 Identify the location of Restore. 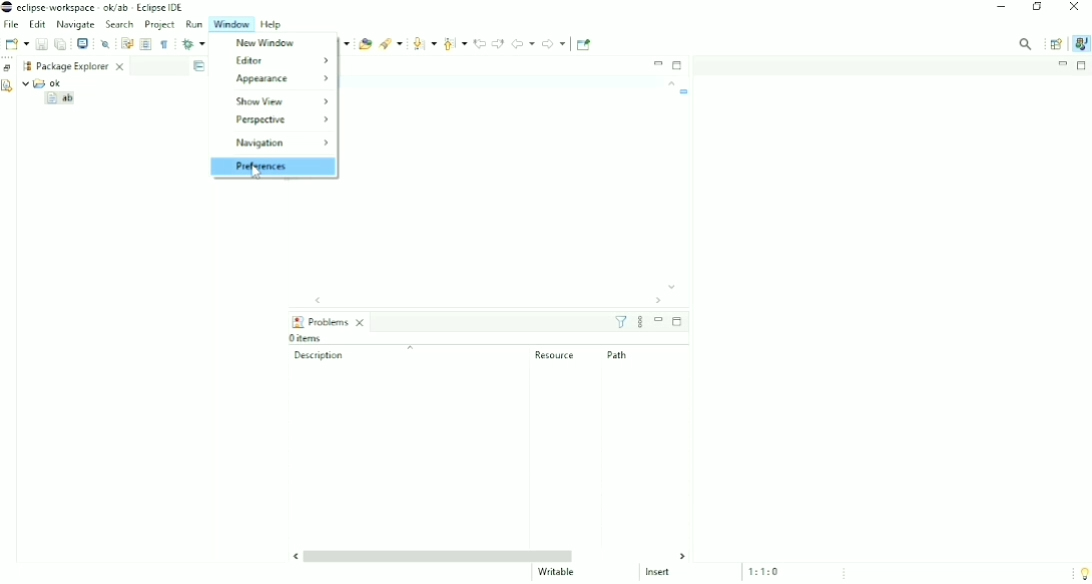
(8, 67).